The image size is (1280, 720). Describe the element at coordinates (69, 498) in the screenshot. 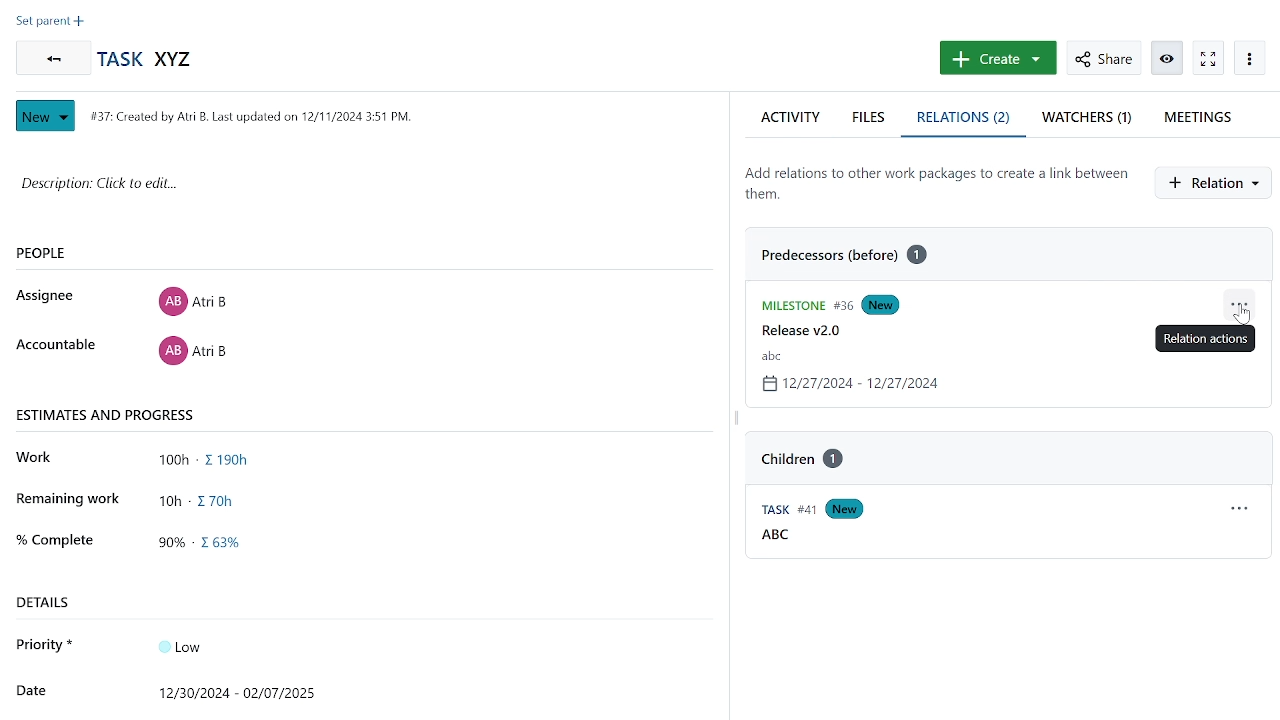

I see `remaining work` at that location.